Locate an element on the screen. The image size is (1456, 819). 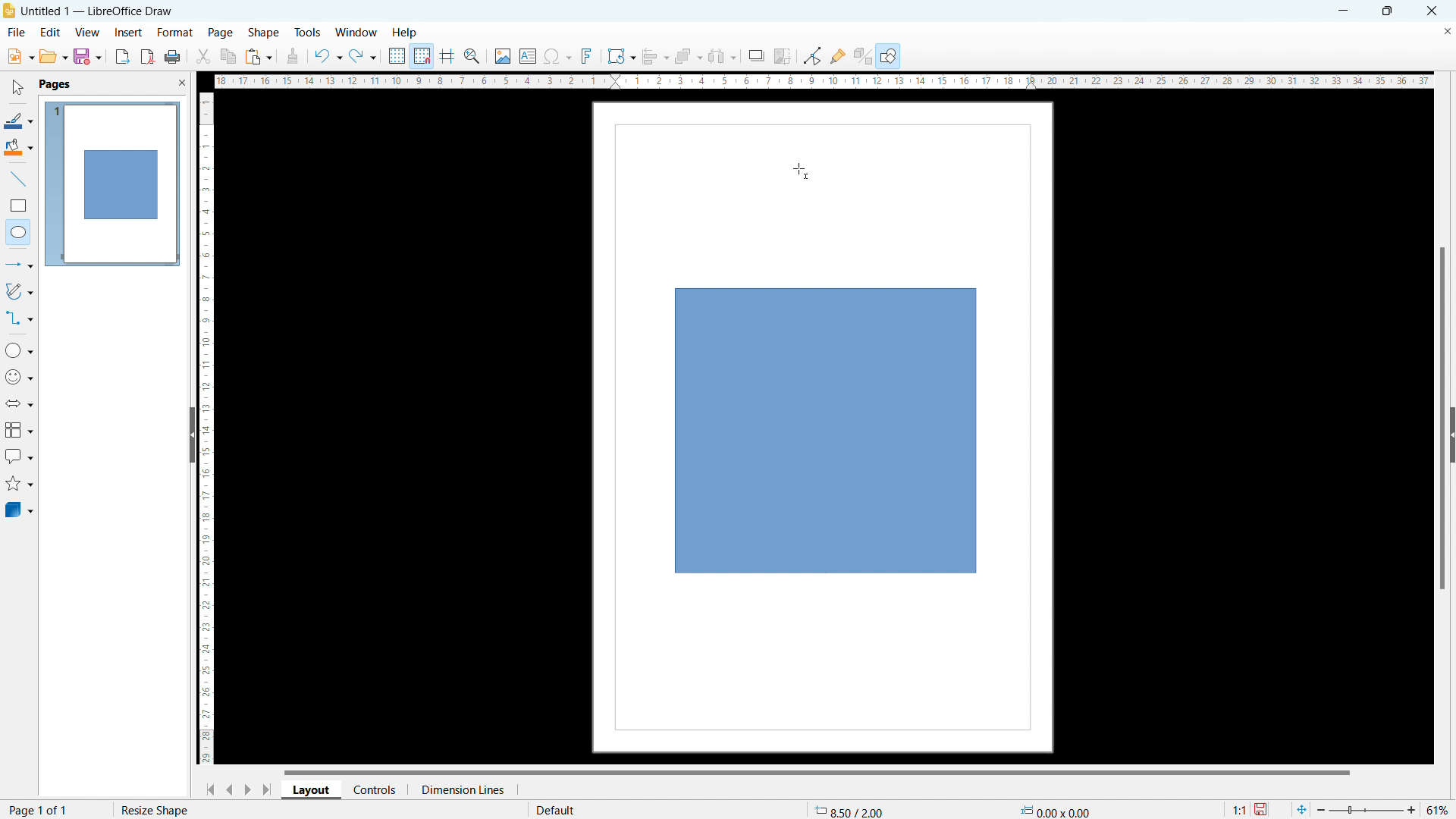
window is located at coordinates (357, 33).